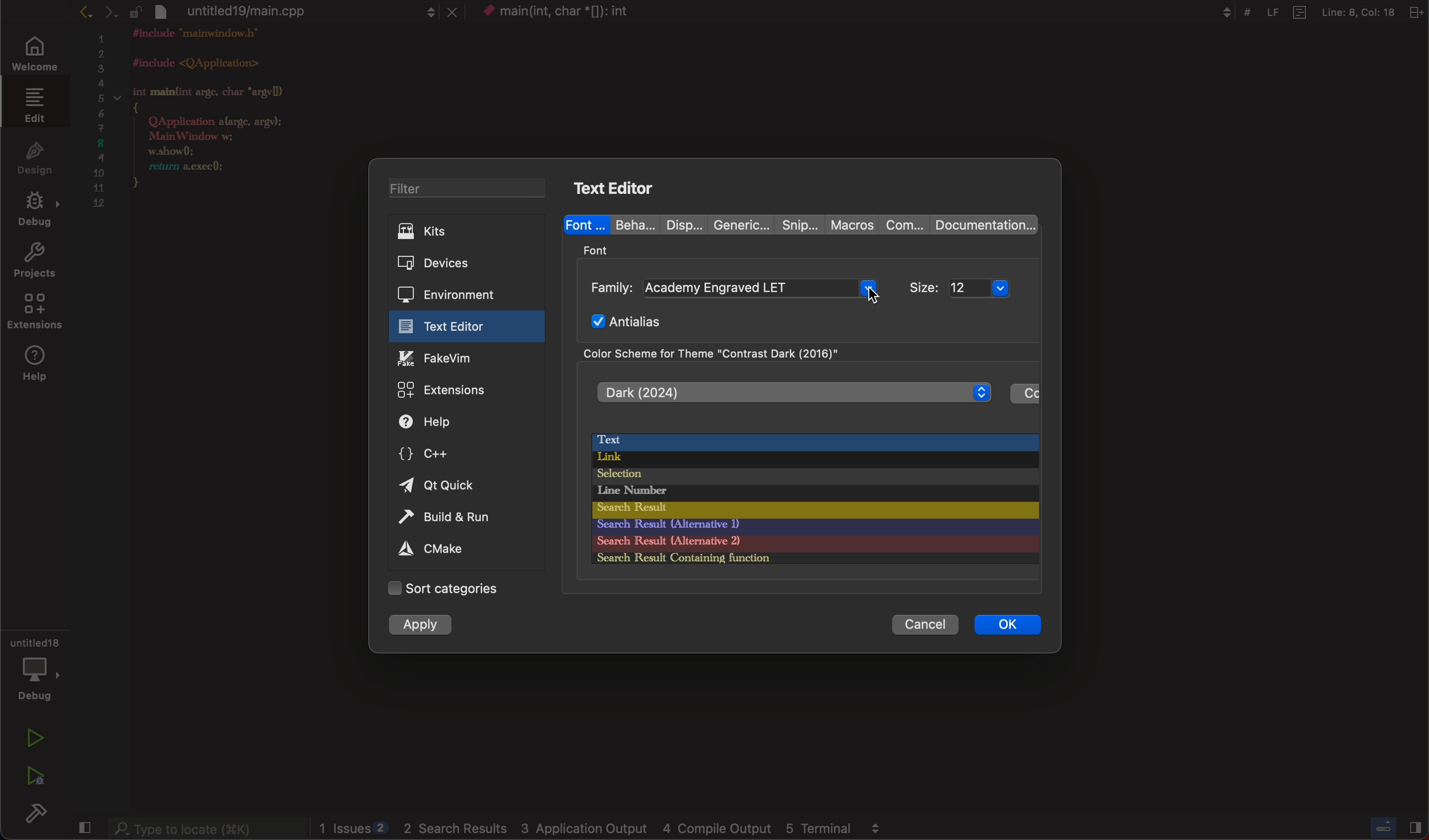 This screenshot has height=840, width=1429. I want to click on environment, so click(457, 293).